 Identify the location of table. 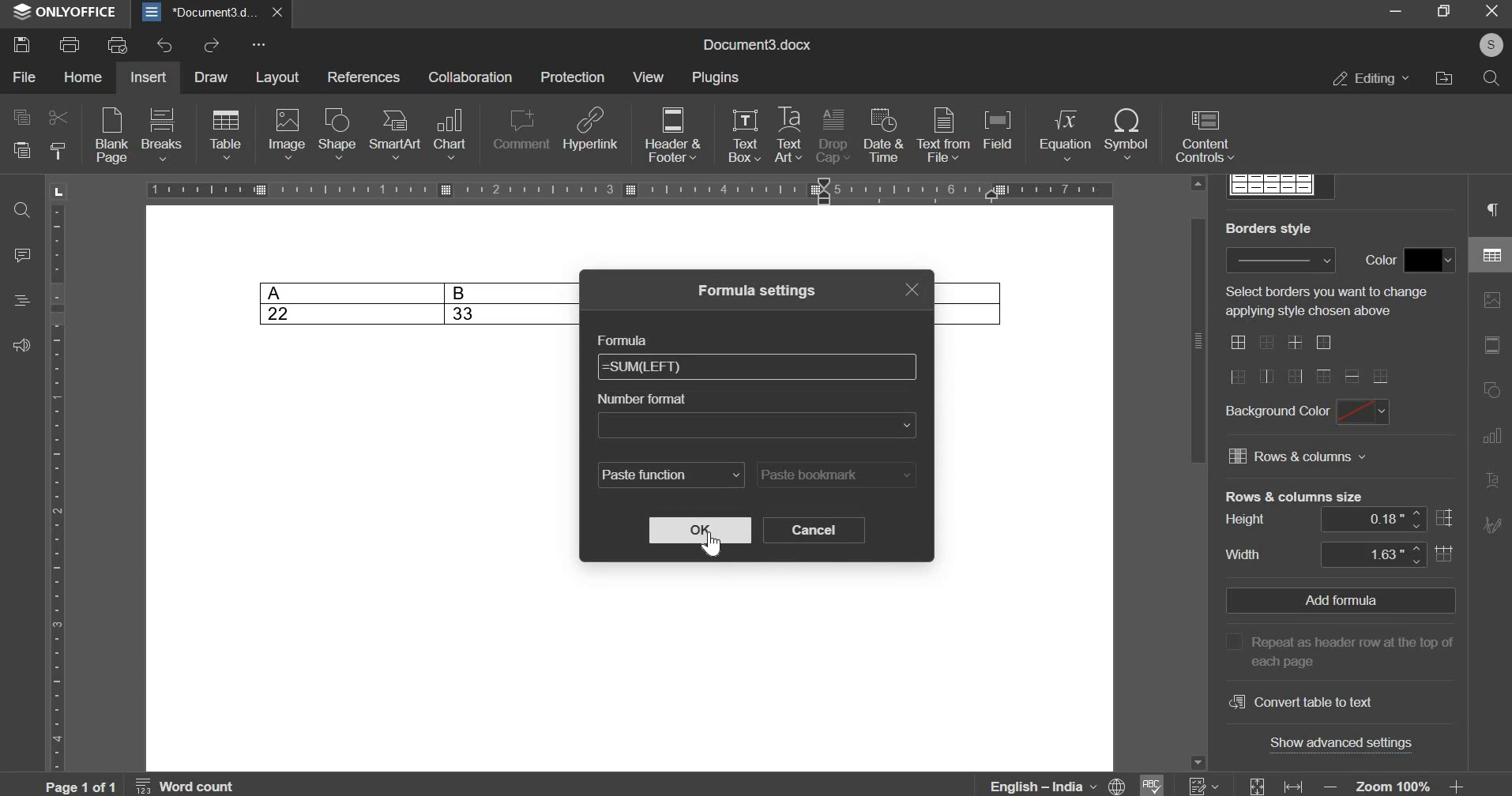
(225, 135).